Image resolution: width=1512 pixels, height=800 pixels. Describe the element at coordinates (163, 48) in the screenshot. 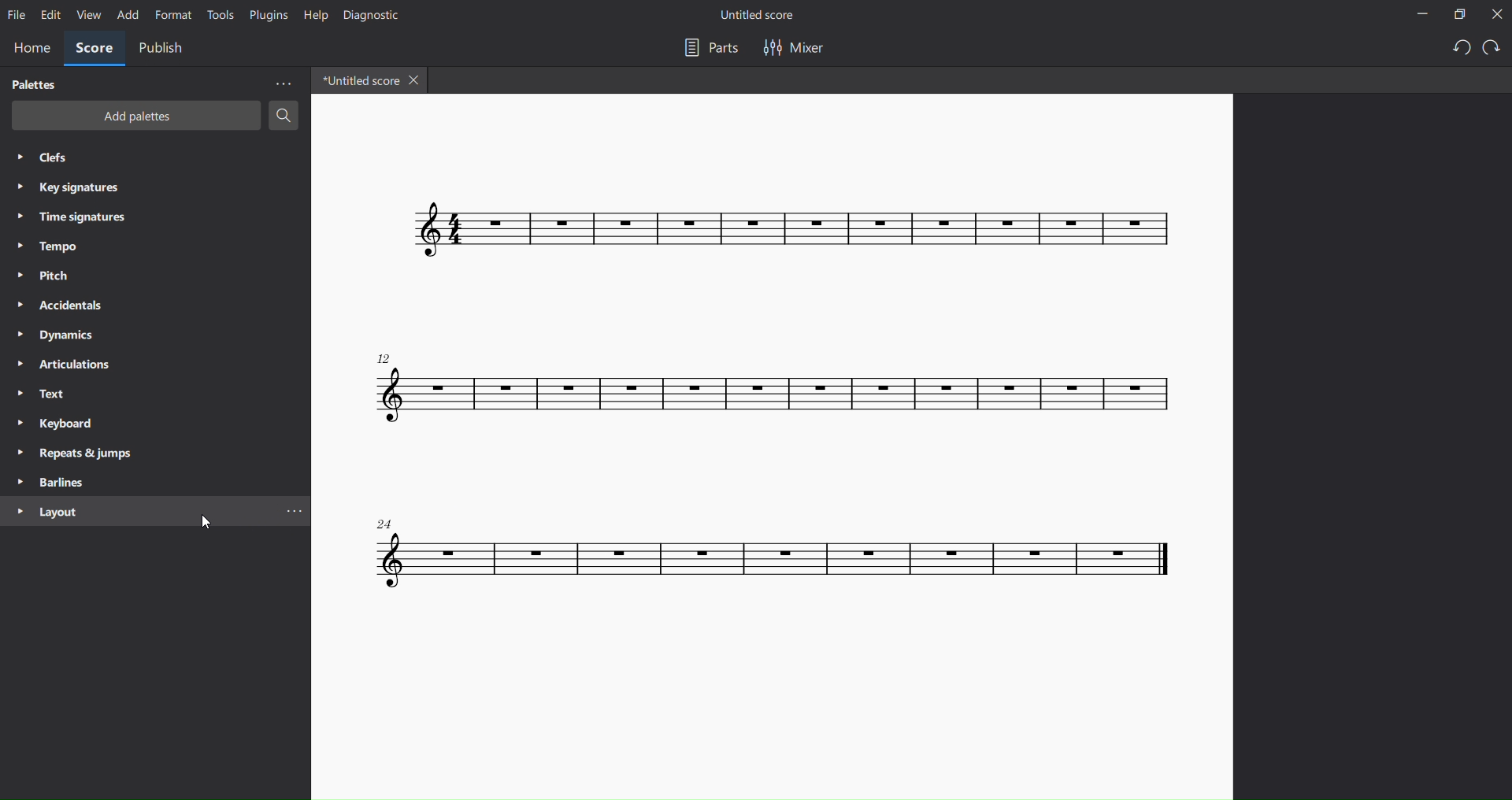

I see `publish` at that location.